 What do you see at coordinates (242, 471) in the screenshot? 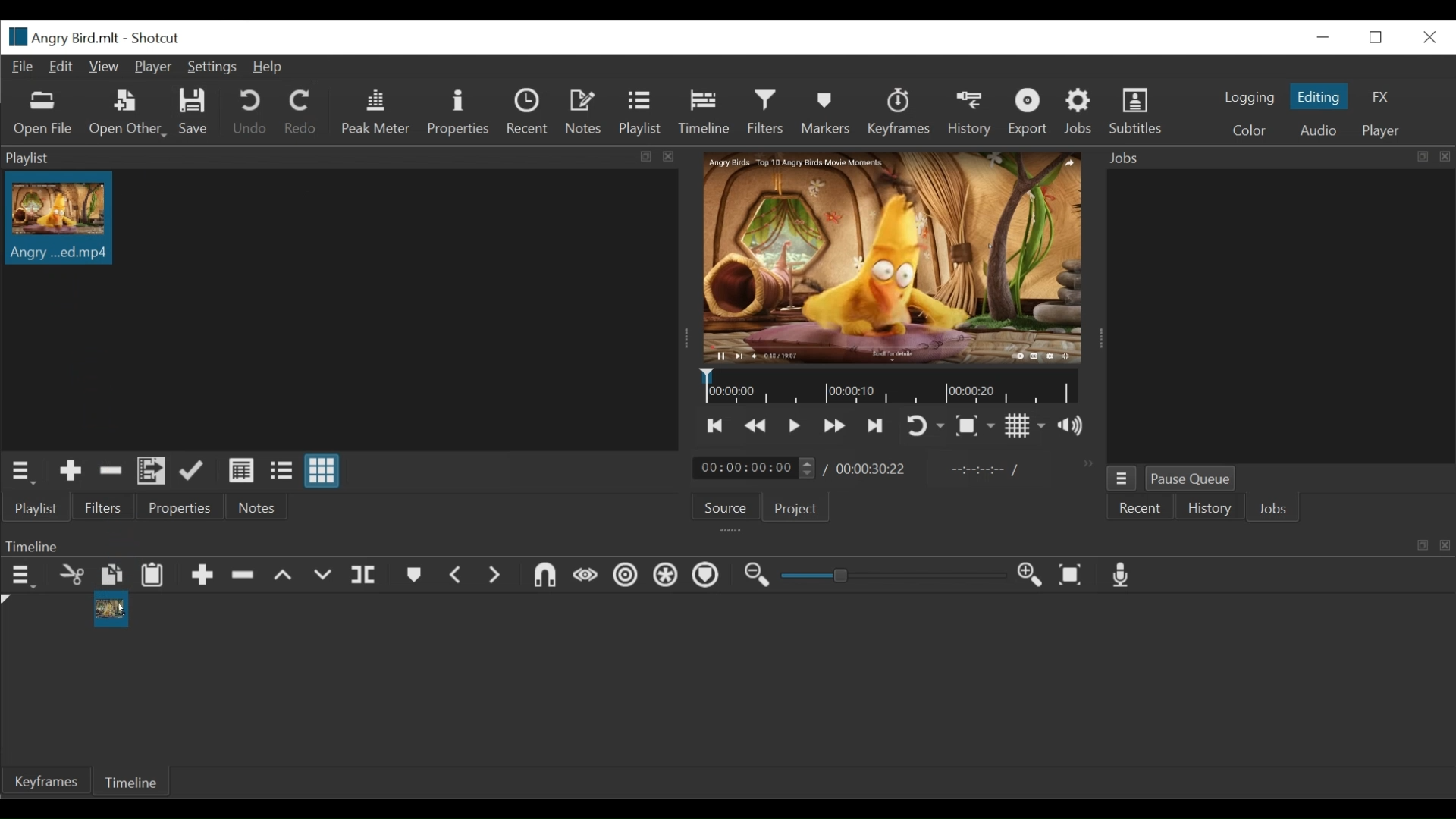
I see `View as detail` at bounding box center [242, 471].